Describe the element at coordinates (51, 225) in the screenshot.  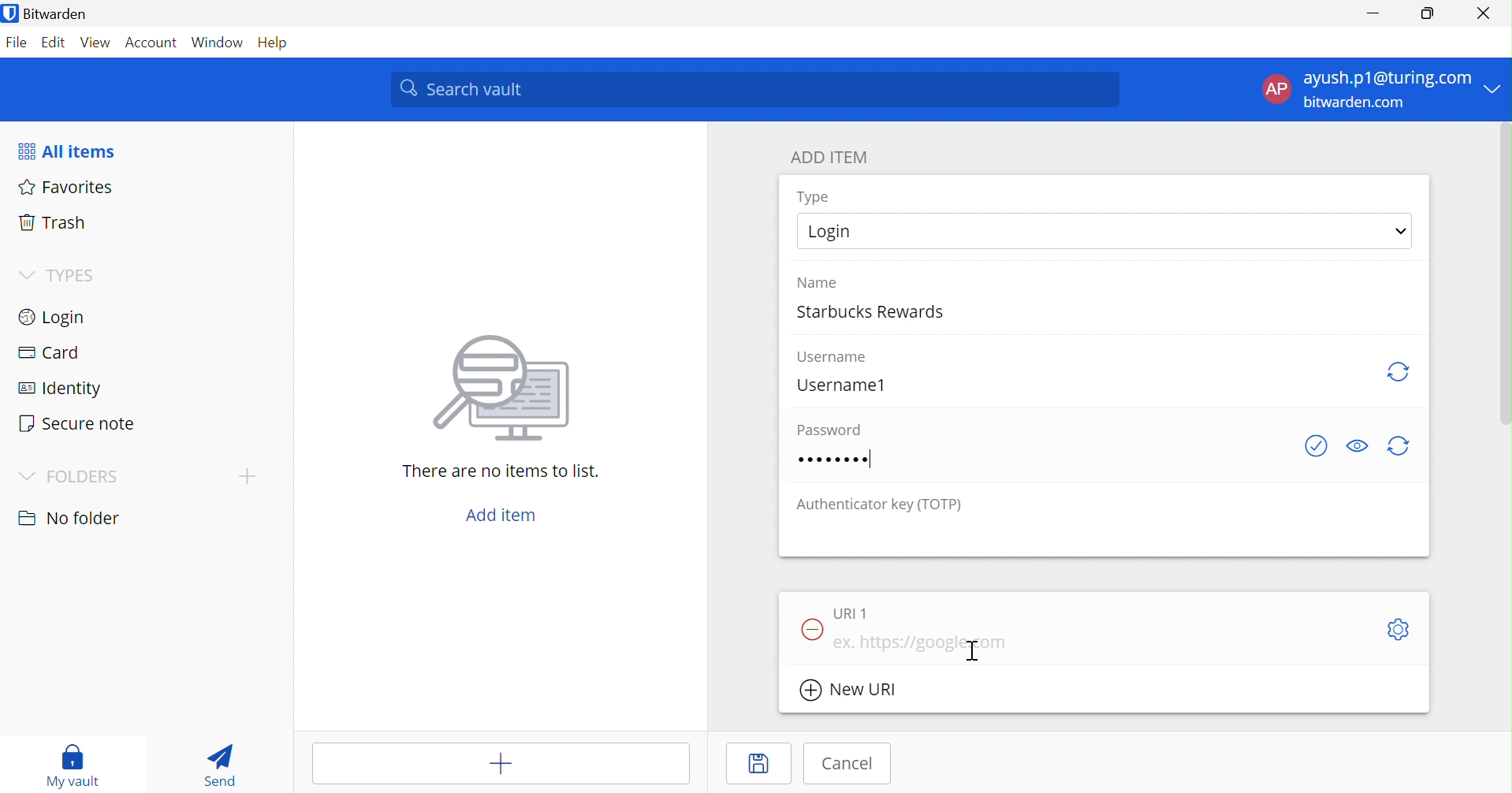
I see `Trash` at that location.